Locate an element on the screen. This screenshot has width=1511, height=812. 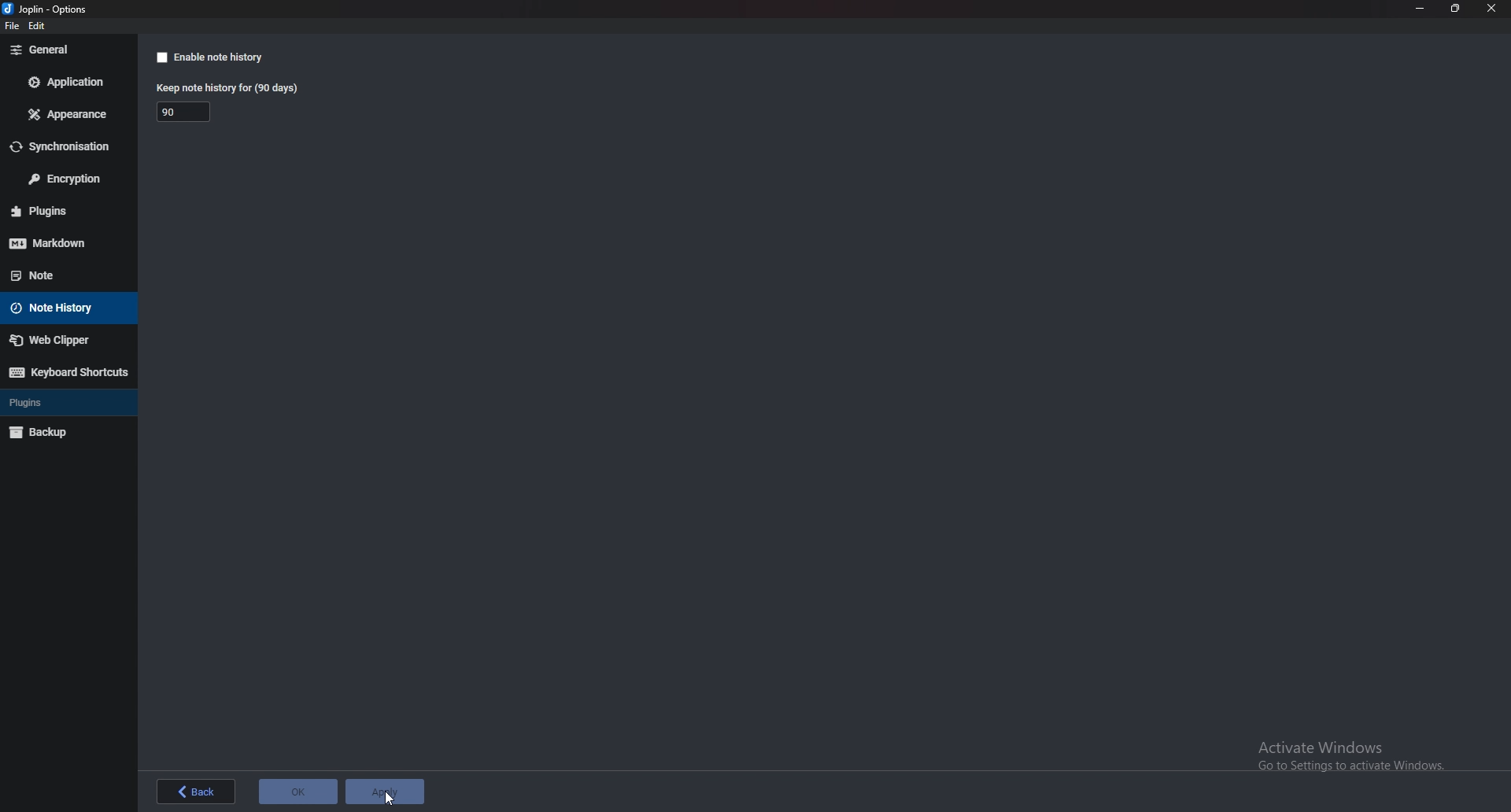
general is located at coordinates (65, 50).